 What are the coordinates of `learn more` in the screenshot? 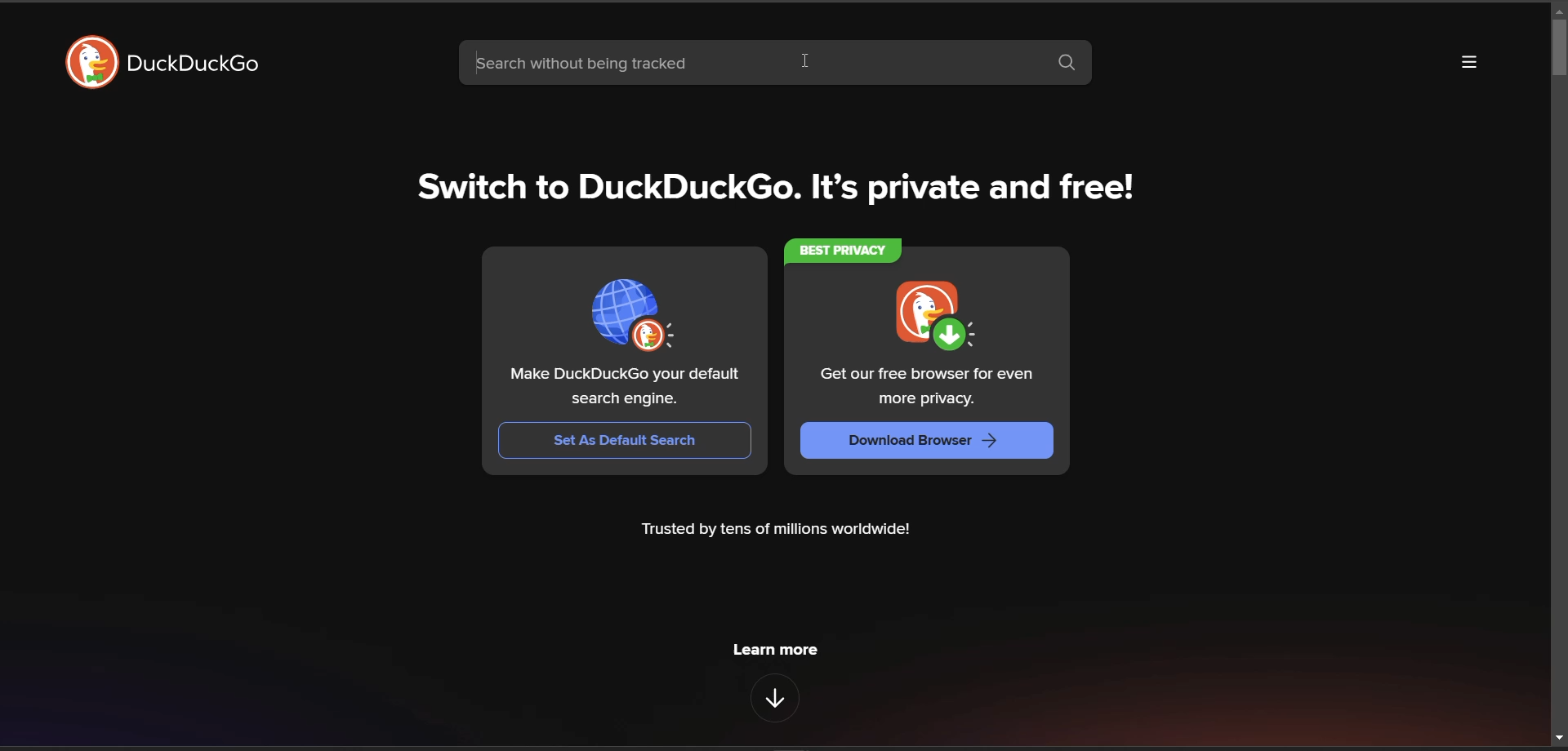 It's located at (781, 649).